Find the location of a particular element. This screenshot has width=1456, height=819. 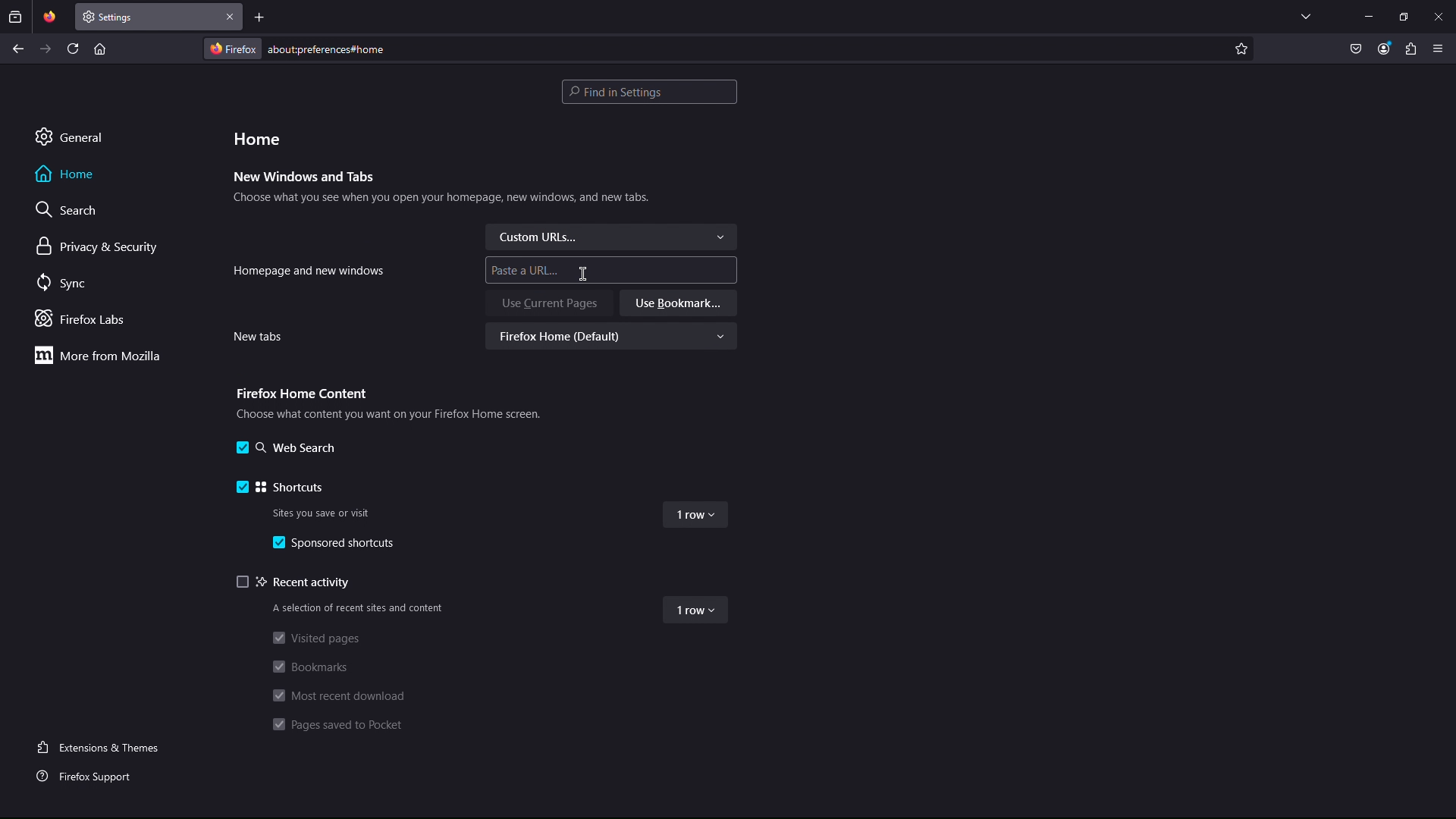

1 row is located at coordinates (696, 611).